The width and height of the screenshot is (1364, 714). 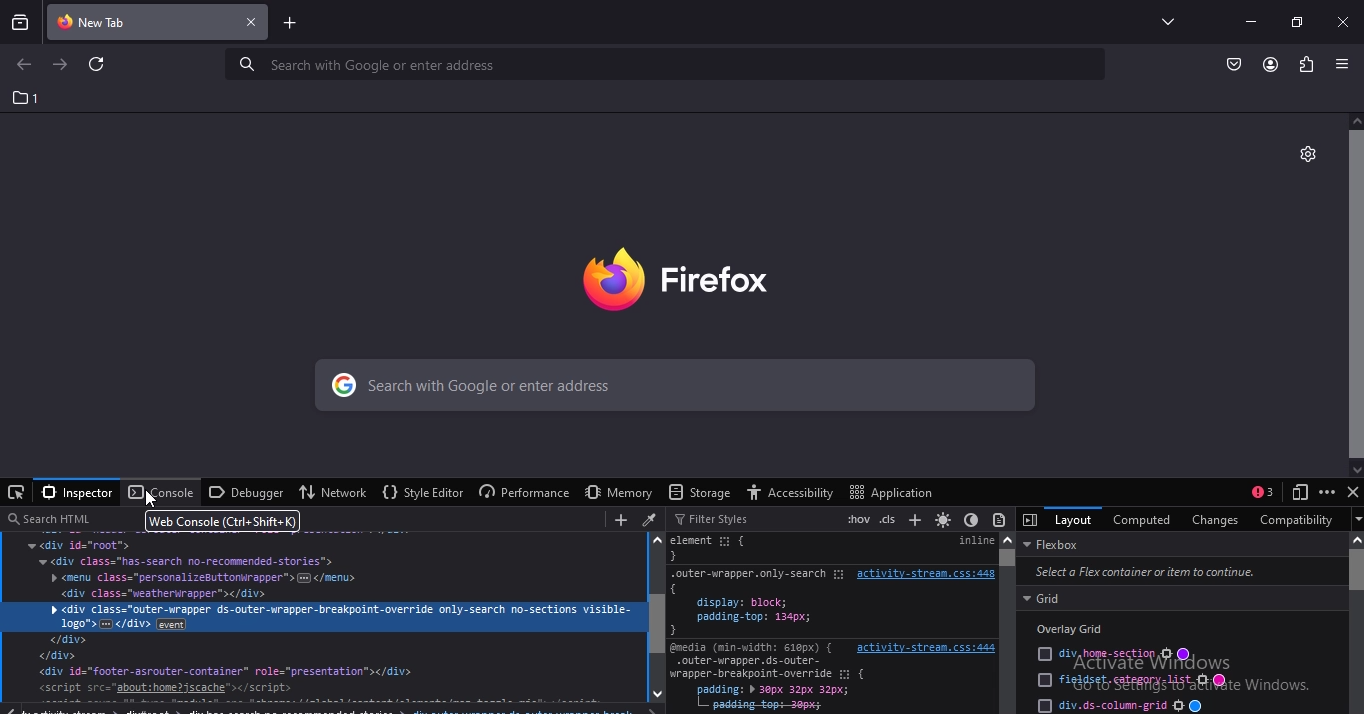 What do you see at coordinates (972, 520) in the screenshot?
I see `toggle dark color scheme simulation for the page` at bounding box center [972, 520].